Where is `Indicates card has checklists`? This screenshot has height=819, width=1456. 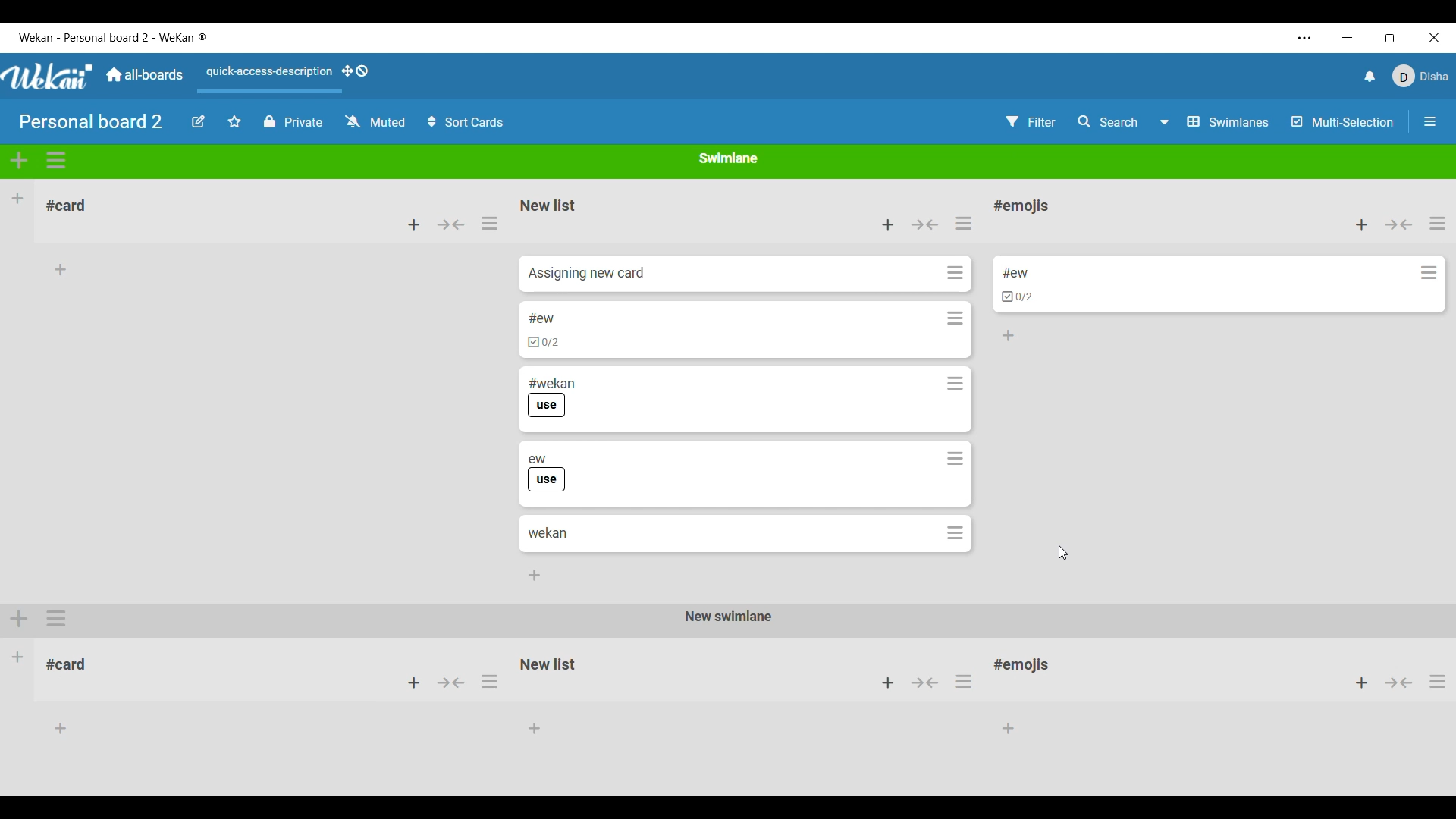
Indicates card has checklists is located at coordinates (1019, 296).